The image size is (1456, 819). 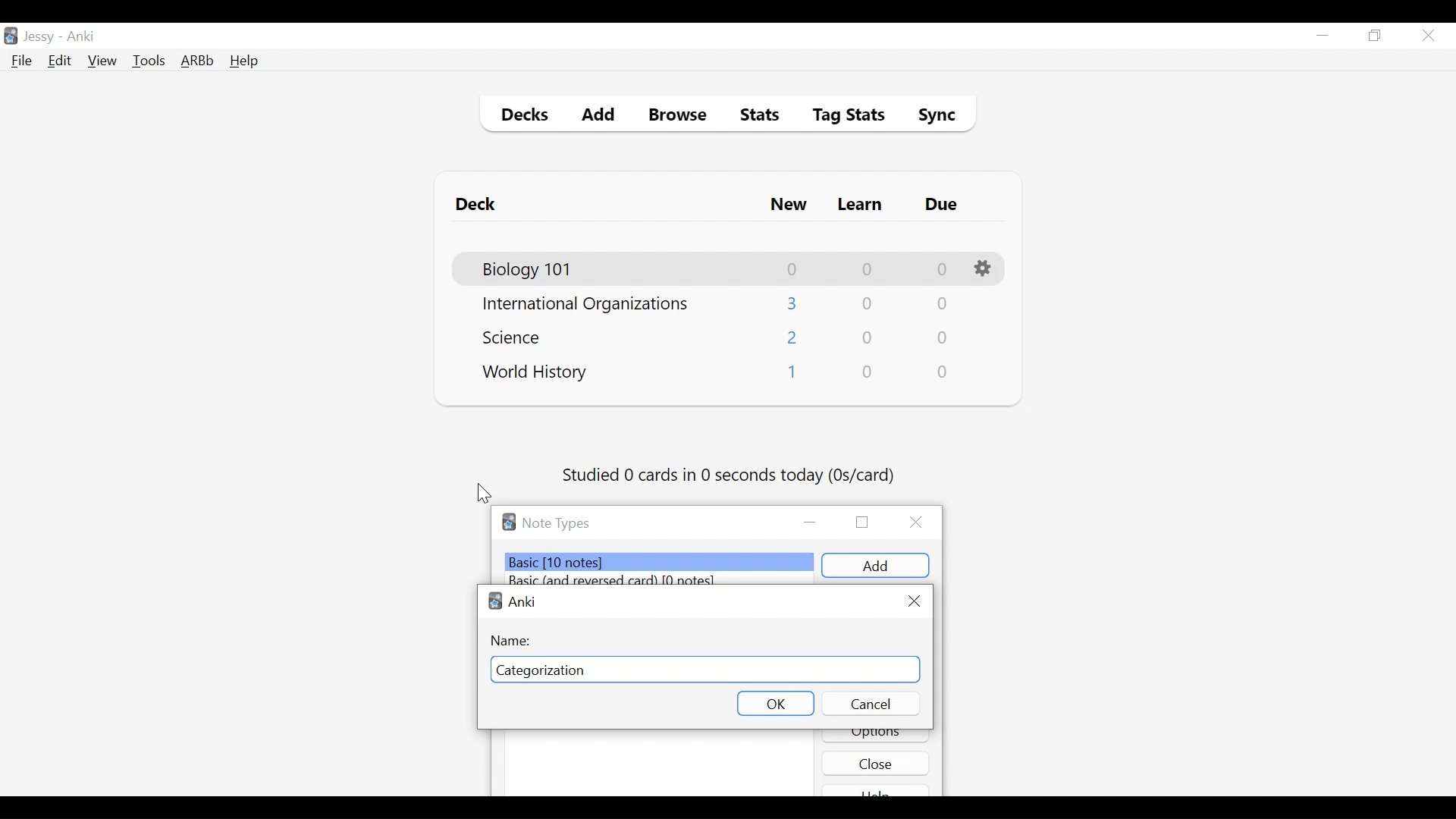 I want to click on Name, so click(x=513, y=640).